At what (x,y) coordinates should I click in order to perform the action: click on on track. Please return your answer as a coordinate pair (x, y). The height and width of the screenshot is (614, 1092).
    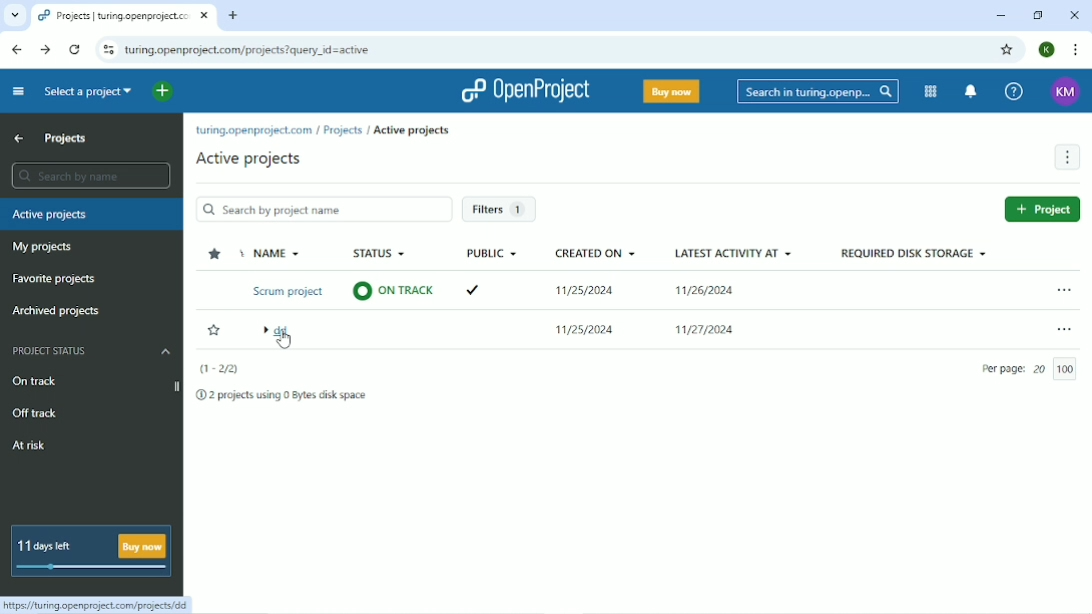
    Looking at the image, I should click on (394, 291).